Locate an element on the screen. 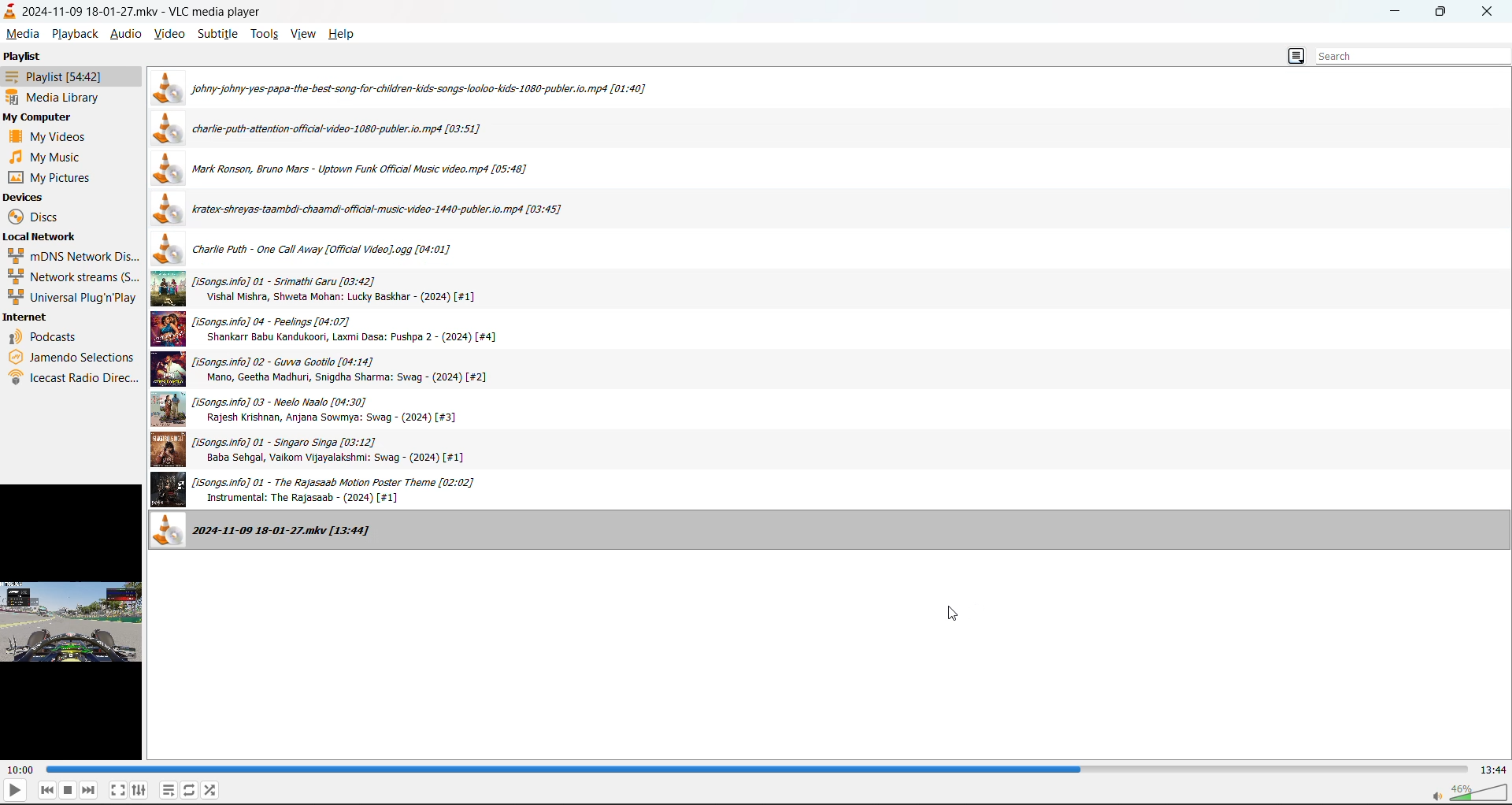 Image resolution: width=1512 pixels, height=805 pixels. playback is located at coordinates (74, 33).